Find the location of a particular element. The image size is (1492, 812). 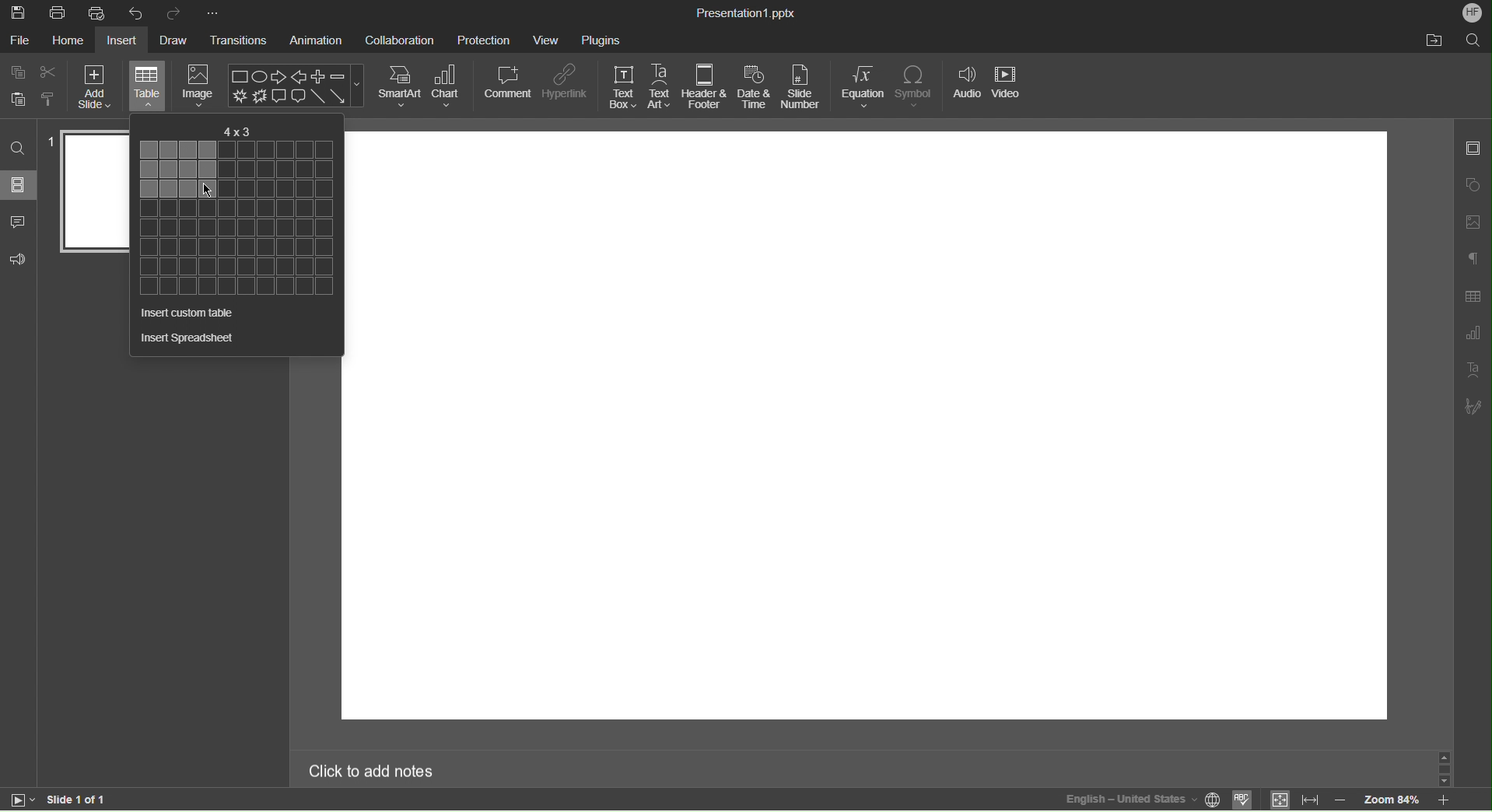

Slide Number is located at coordinates (803, 87).